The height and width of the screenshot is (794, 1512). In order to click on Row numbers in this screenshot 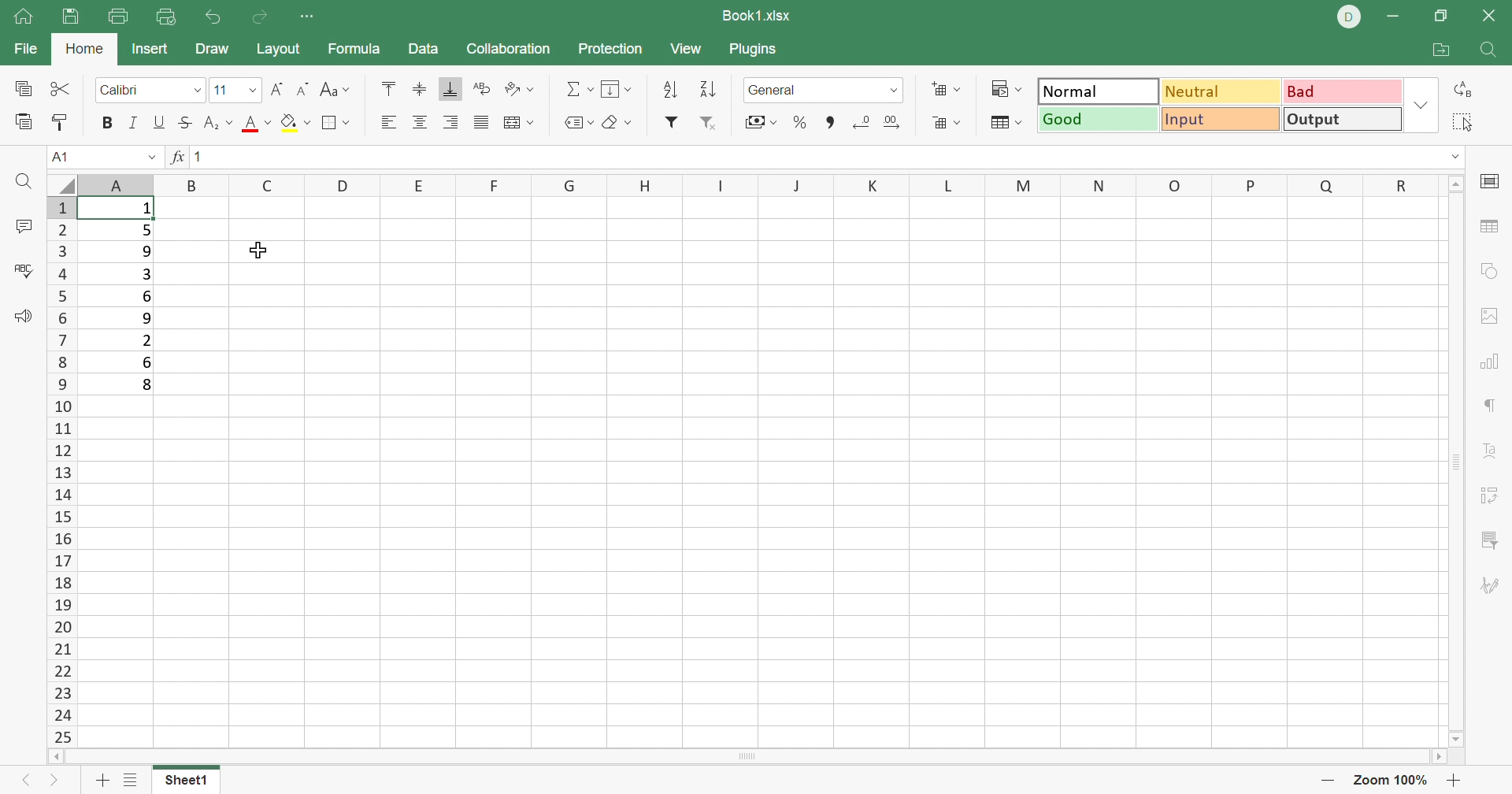, I will do `click(64, 471)`.